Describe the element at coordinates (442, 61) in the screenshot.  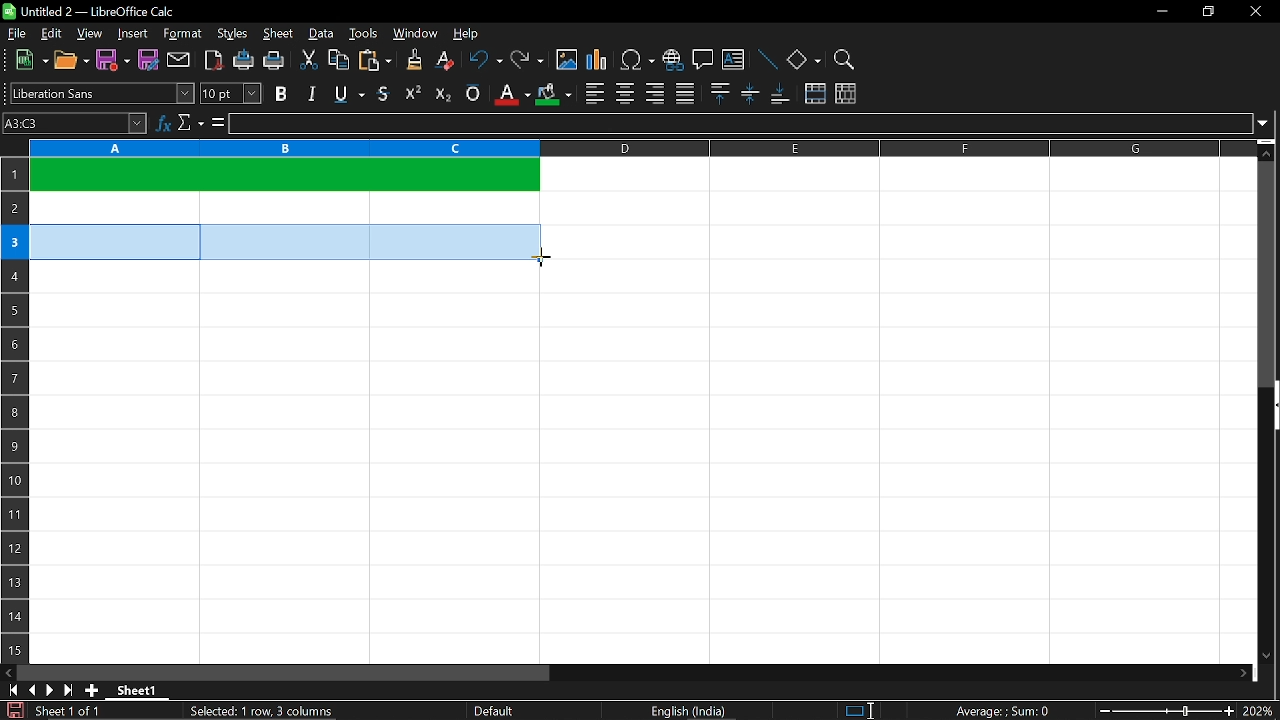
I see `eraser` at that location.